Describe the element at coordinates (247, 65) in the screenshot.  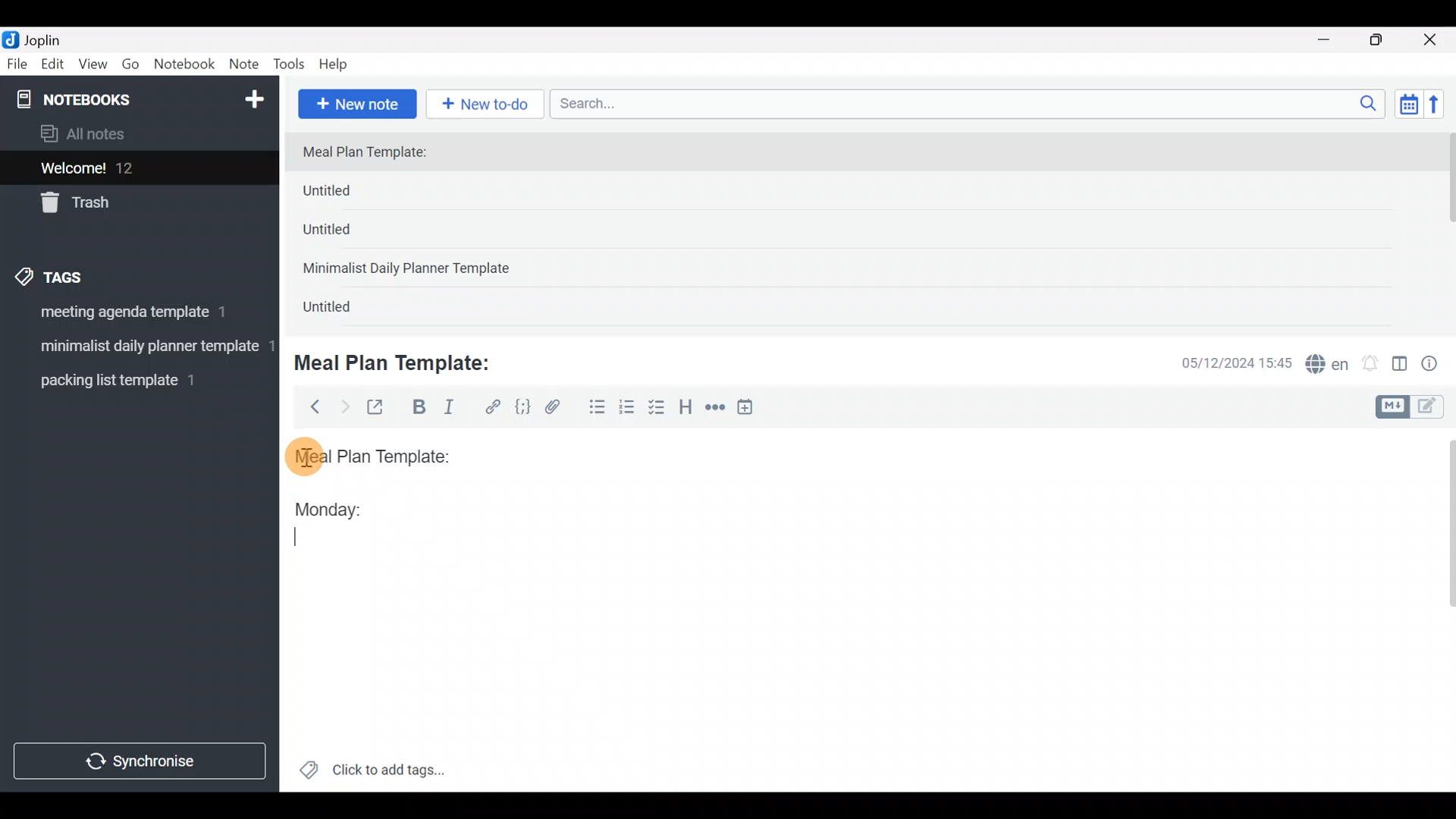
I see `Note` at that location.